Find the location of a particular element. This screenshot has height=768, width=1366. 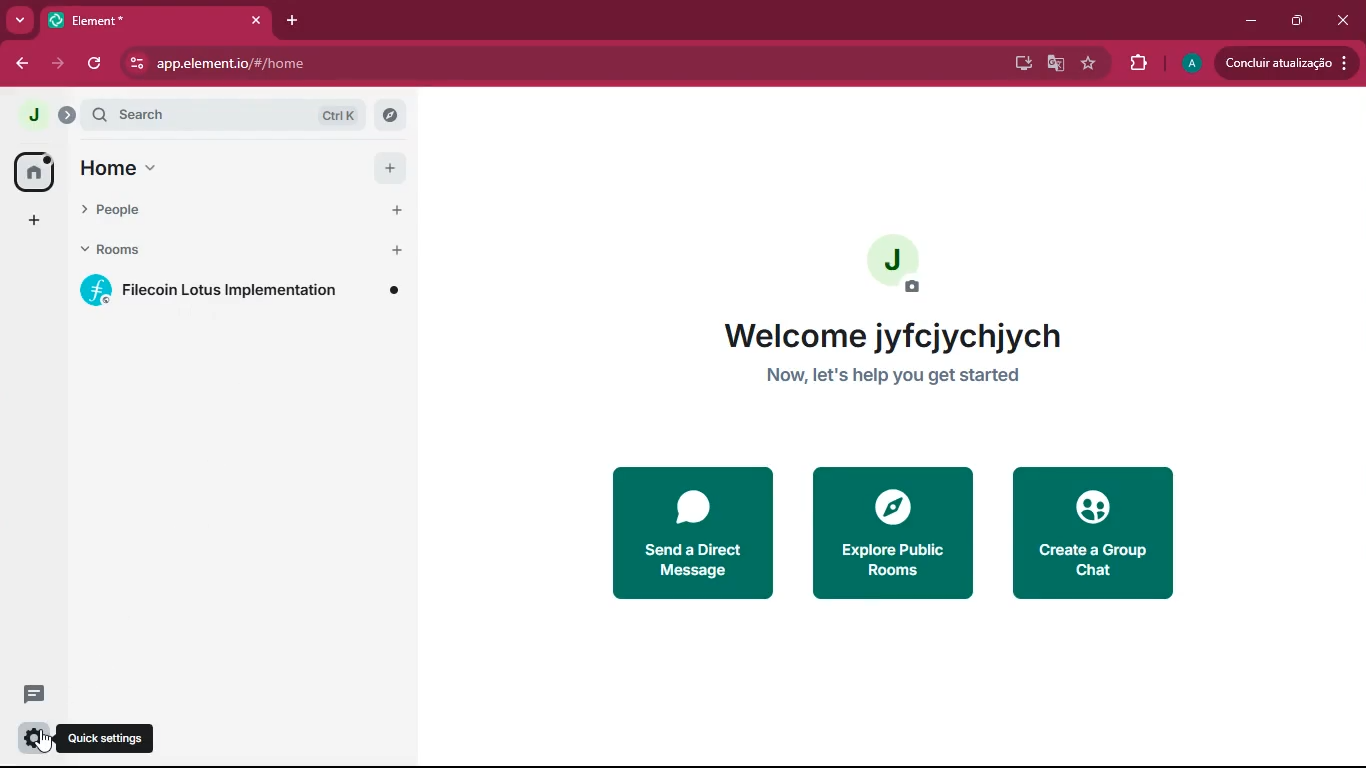

profile is located at coordinates (35, 115).